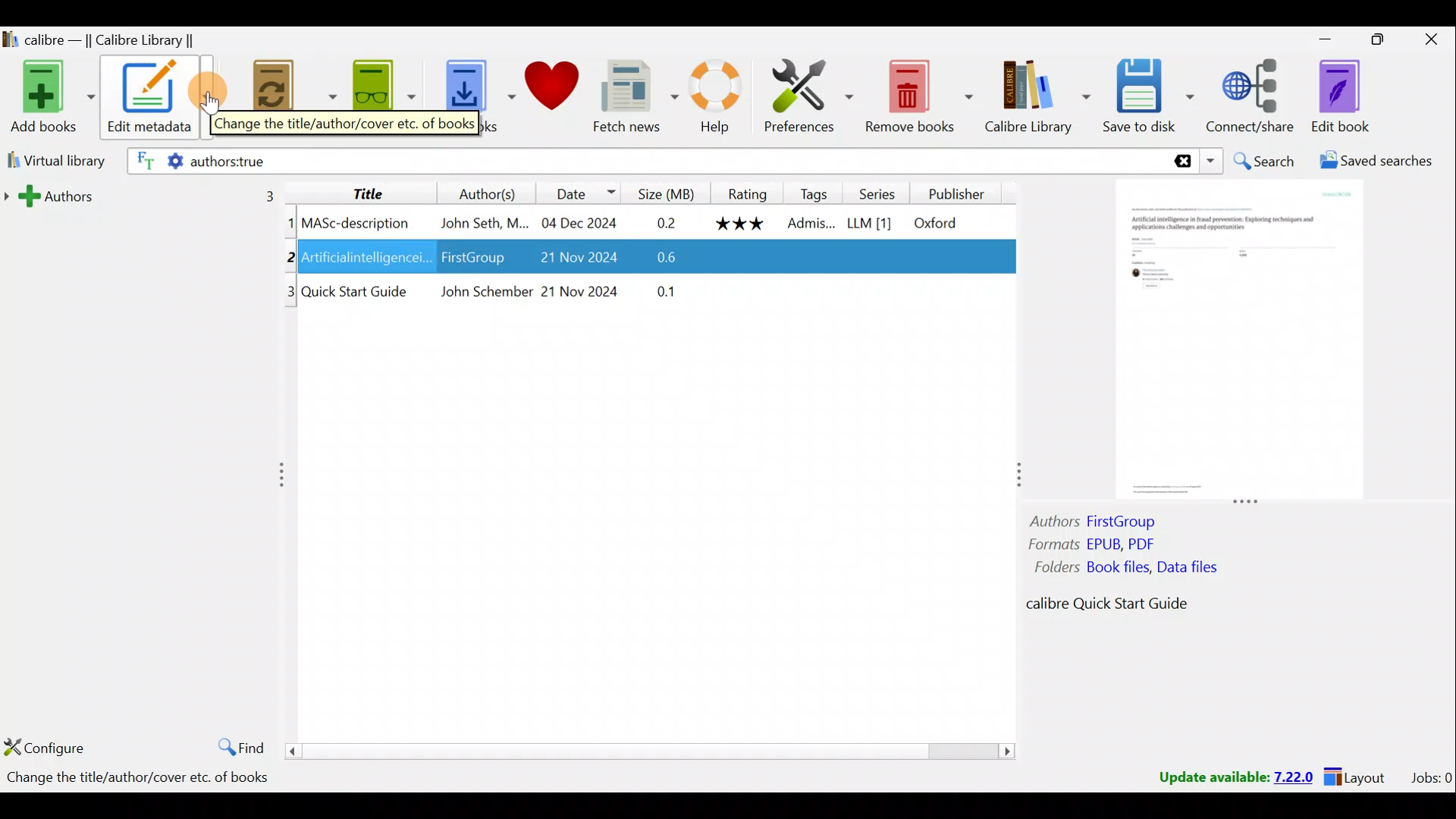 The height and width of the screenshot is (819, 1456). Describe the element at coordinates (1239, 409) in the screenshot. I see `Book preview column` at that location.